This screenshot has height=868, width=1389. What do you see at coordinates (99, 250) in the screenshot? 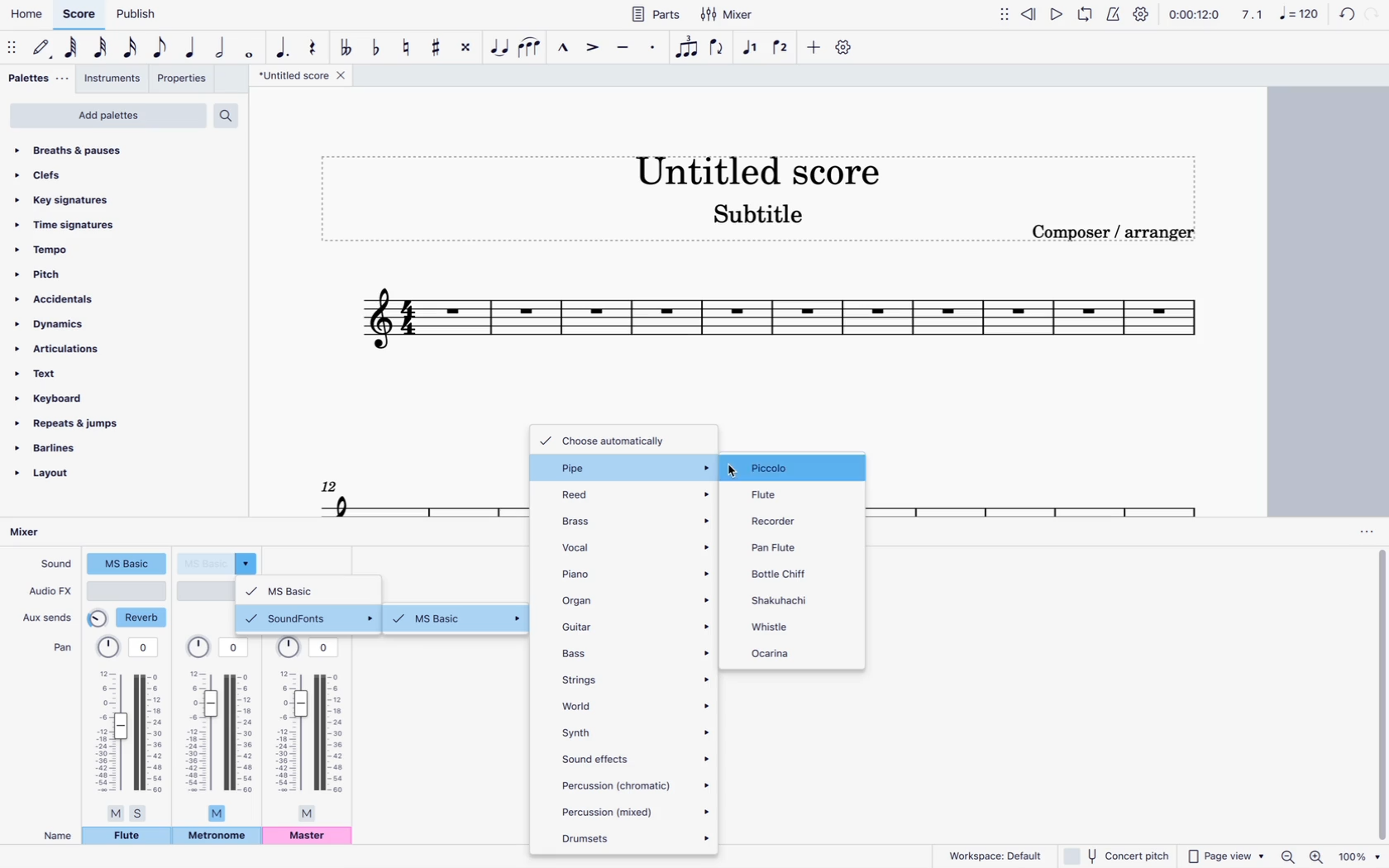
I see `tempo` at bounding box center [99, 250].